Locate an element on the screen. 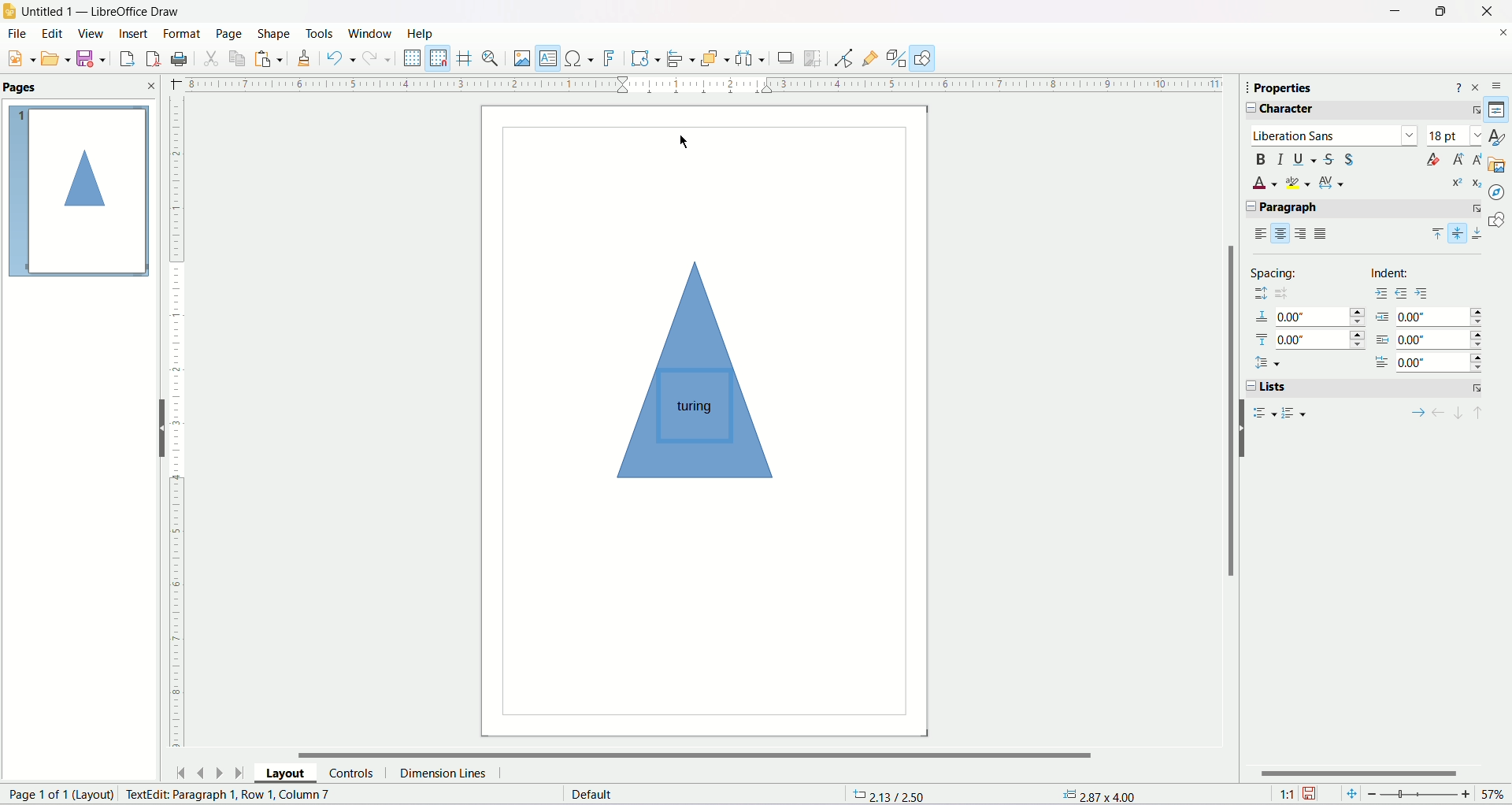  Properties is located at coordinates (1499, 110).